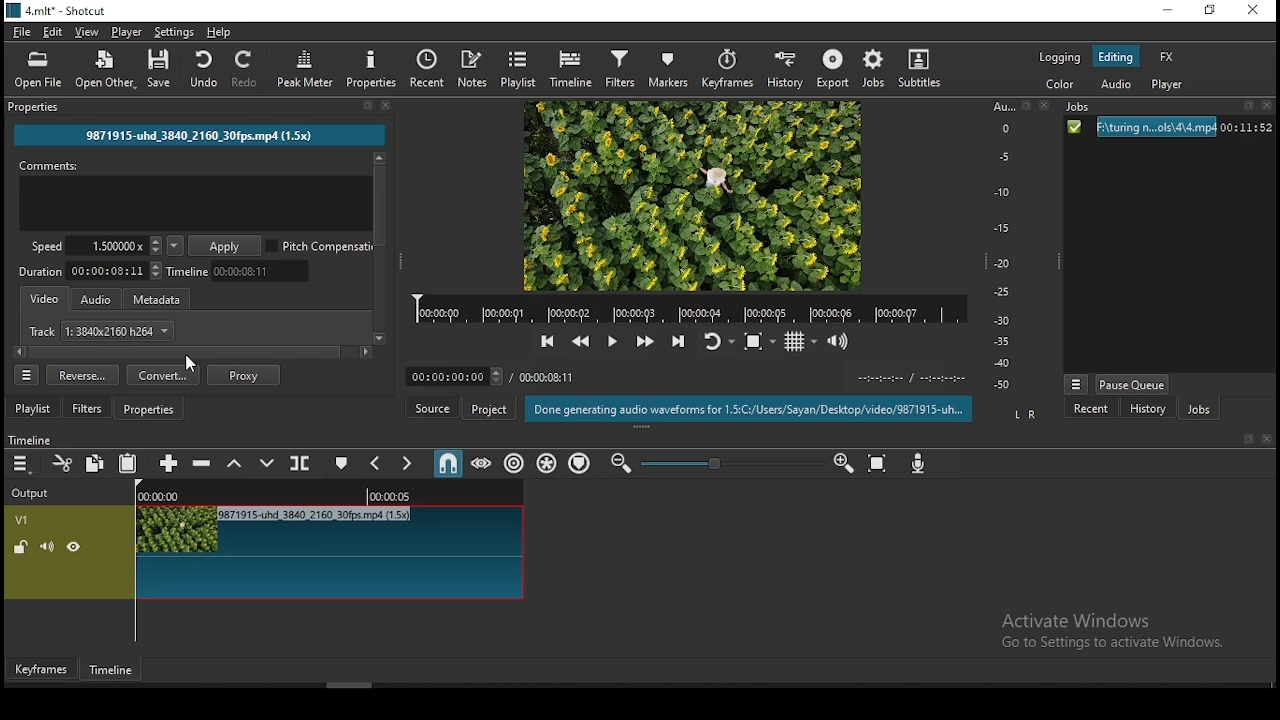  I want to click on history, so click(1144, 410).